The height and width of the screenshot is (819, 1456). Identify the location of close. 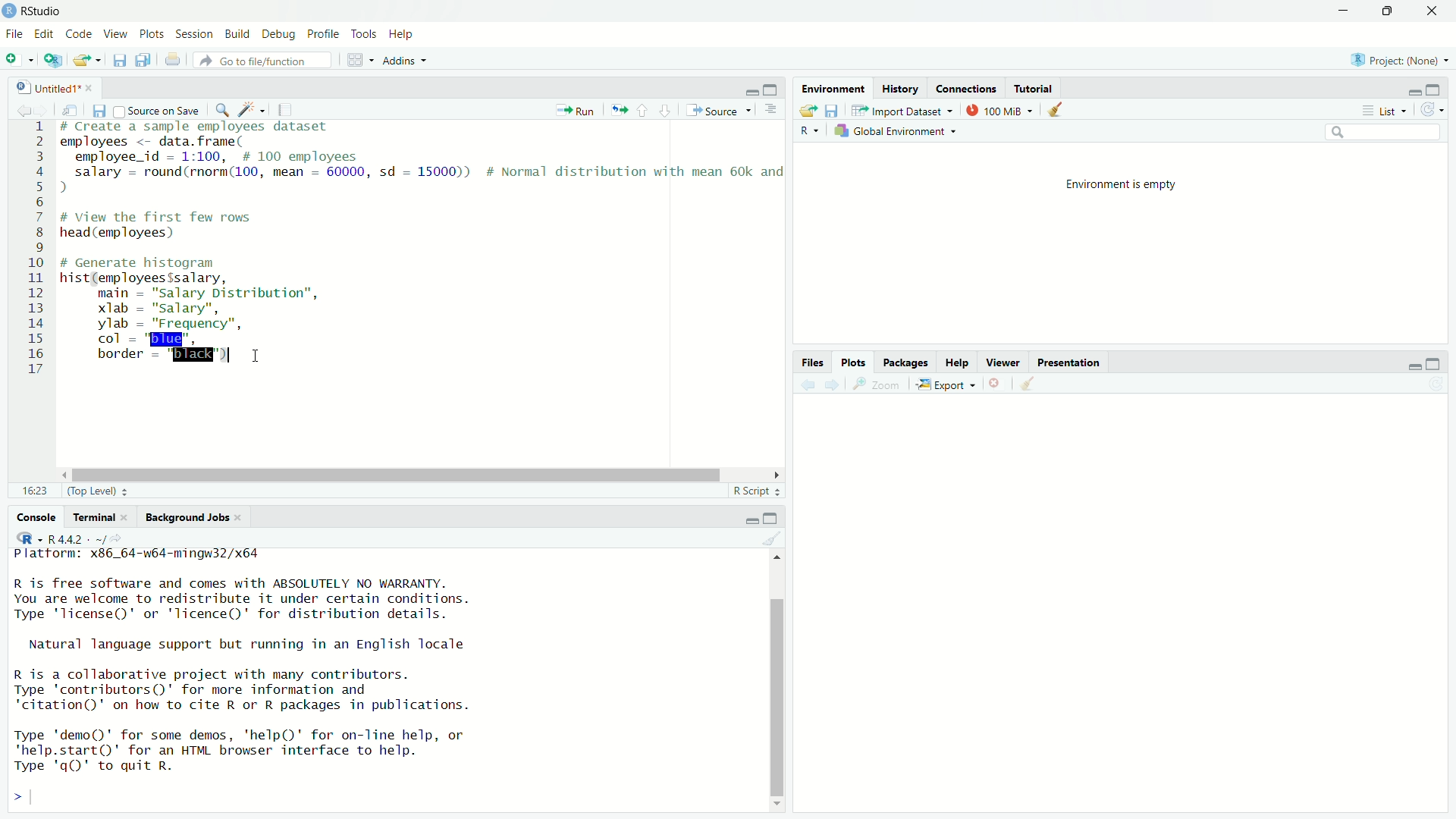
(240, 518).